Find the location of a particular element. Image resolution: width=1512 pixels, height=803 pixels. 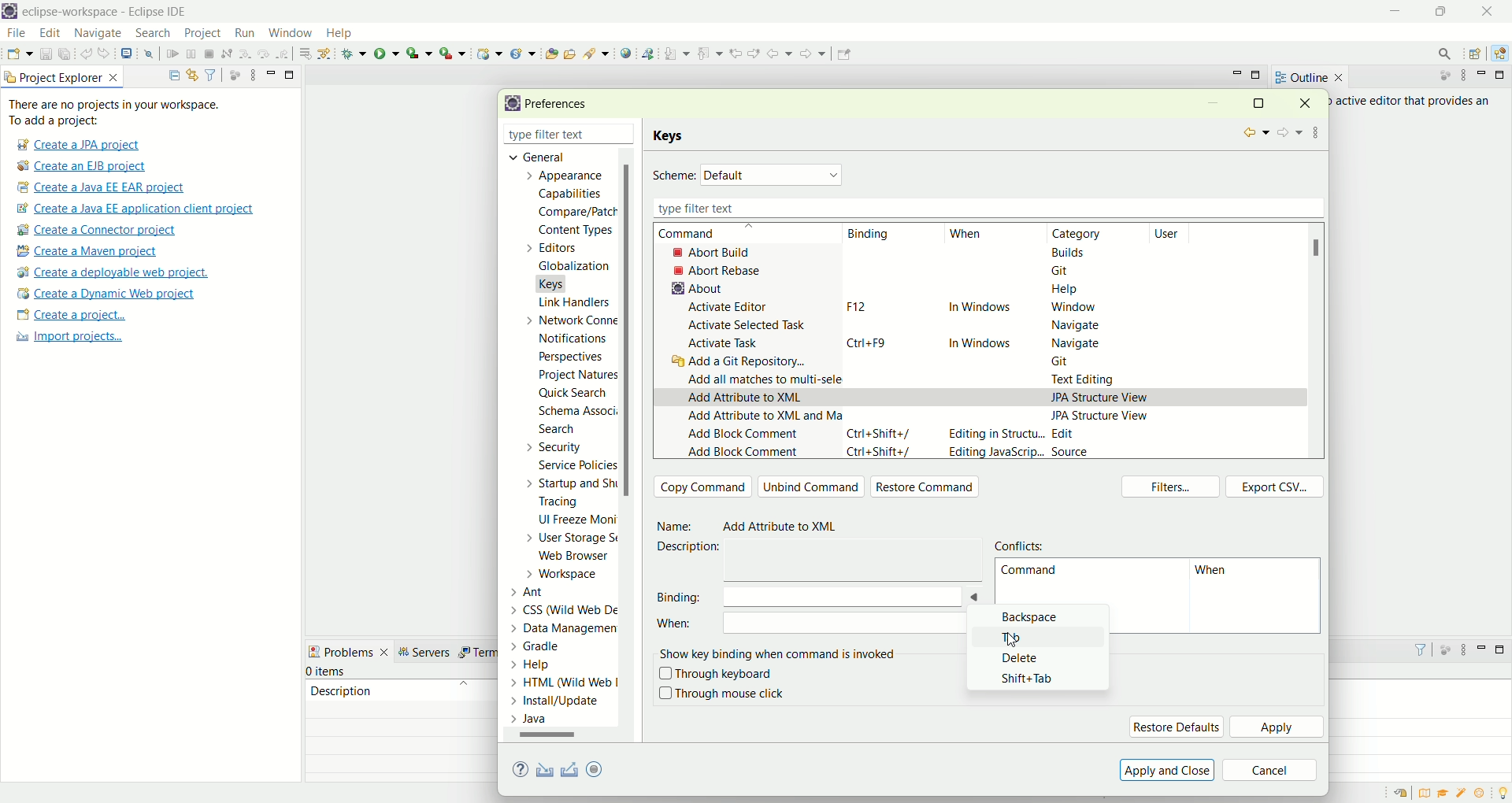

search is located at coordinates (1440, 54).